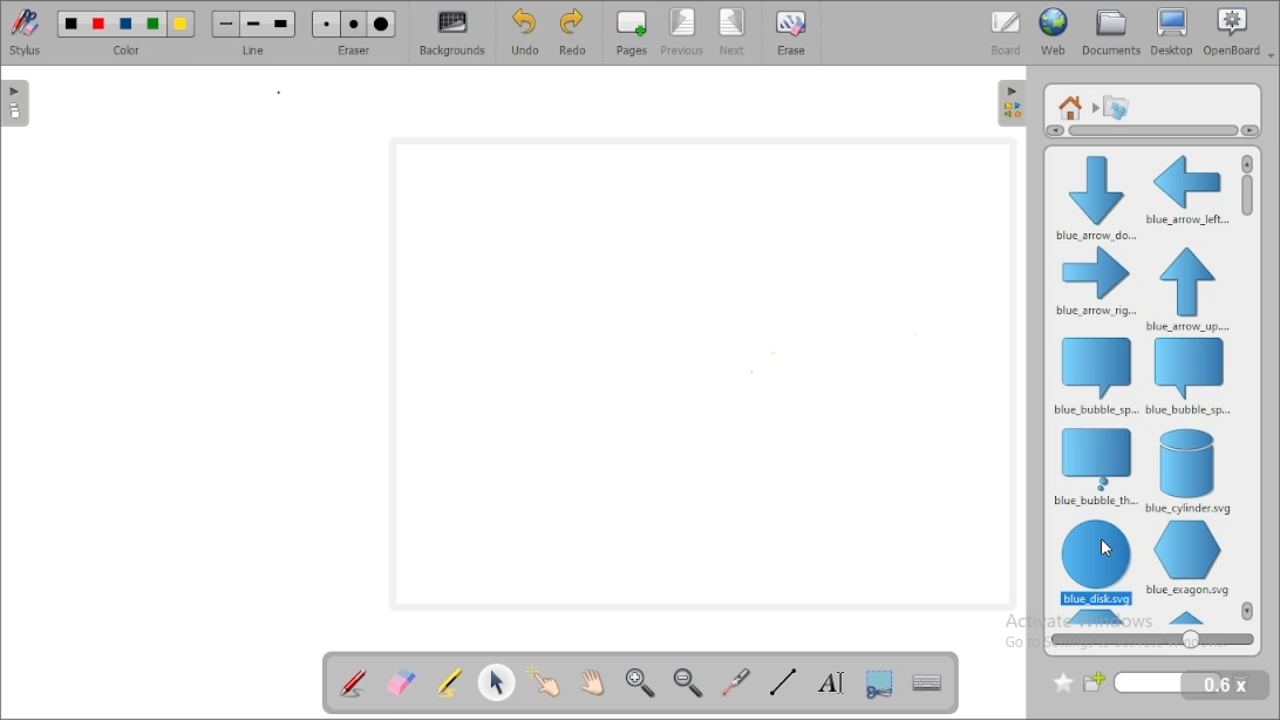 The height and width of the screenshot is (720, 1280). Describe the element at coordinates (354, 32) in the screenshot. I see `eraser` at that location.